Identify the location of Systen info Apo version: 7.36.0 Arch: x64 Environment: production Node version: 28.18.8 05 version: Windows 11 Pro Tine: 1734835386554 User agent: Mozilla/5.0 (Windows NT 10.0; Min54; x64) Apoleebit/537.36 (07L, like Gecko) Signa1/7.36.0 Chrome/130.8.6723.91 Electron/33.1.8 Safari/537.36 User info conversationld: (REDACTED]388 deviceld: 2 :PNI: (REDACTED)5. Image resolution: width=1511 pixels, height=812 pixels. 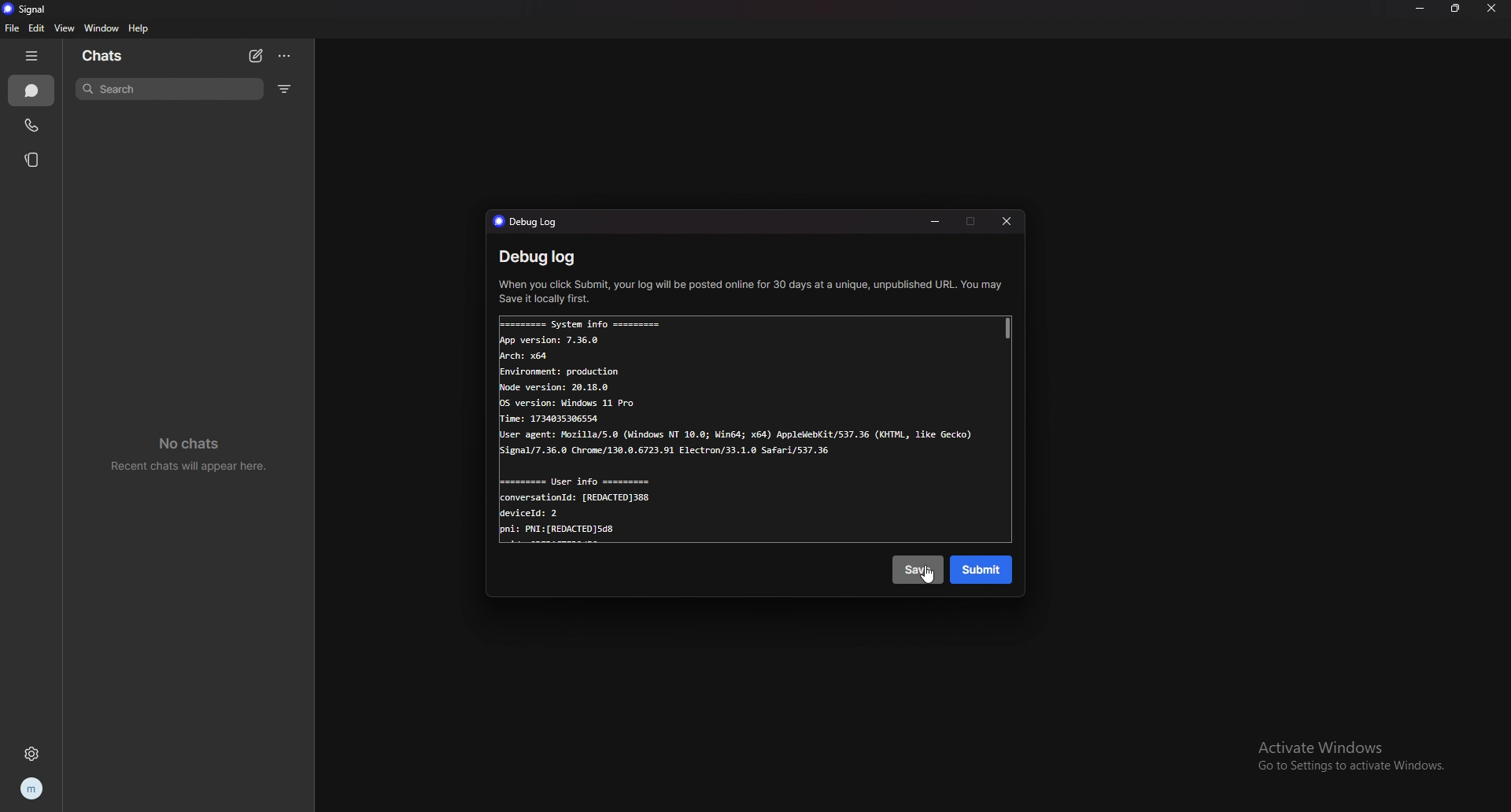
(741, 434).